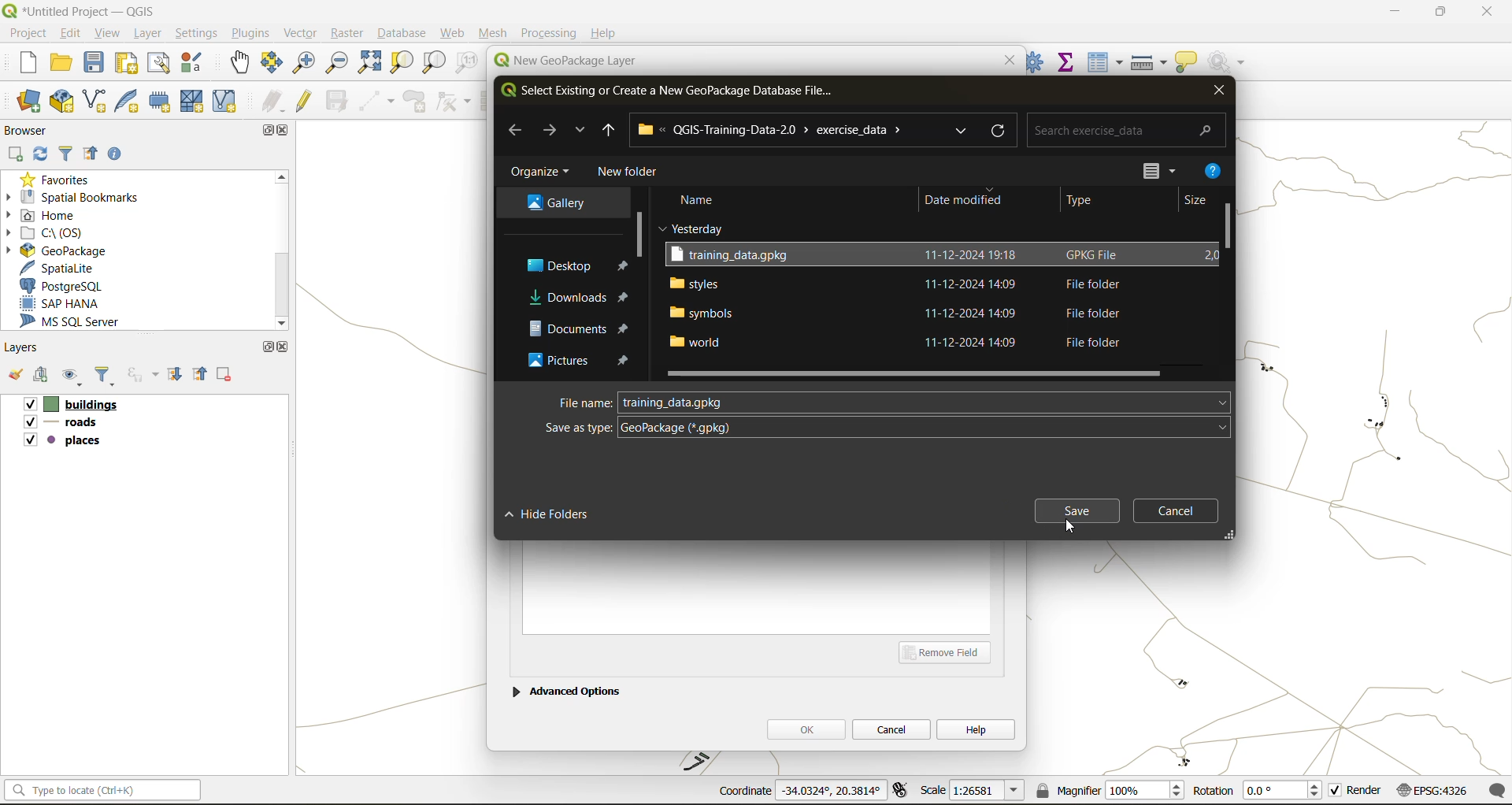  I want to click on close, so click(1217, 93).